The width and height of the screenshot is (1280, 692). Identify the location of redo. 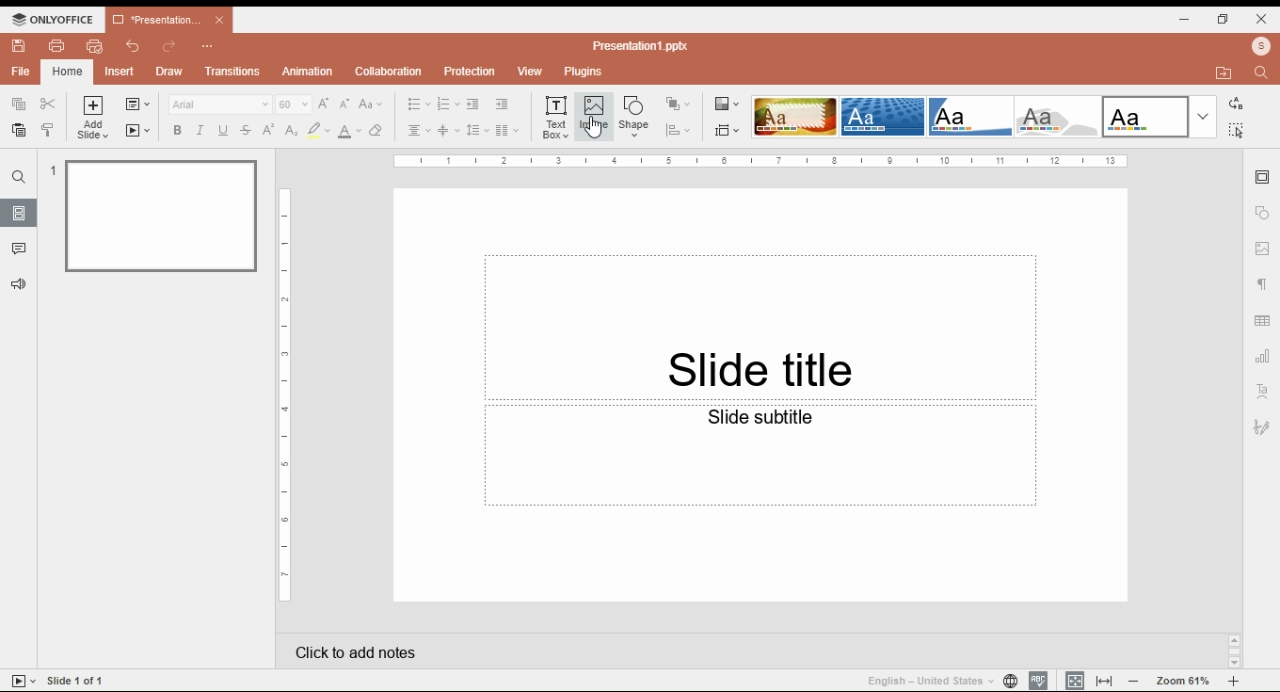
(171, 45).